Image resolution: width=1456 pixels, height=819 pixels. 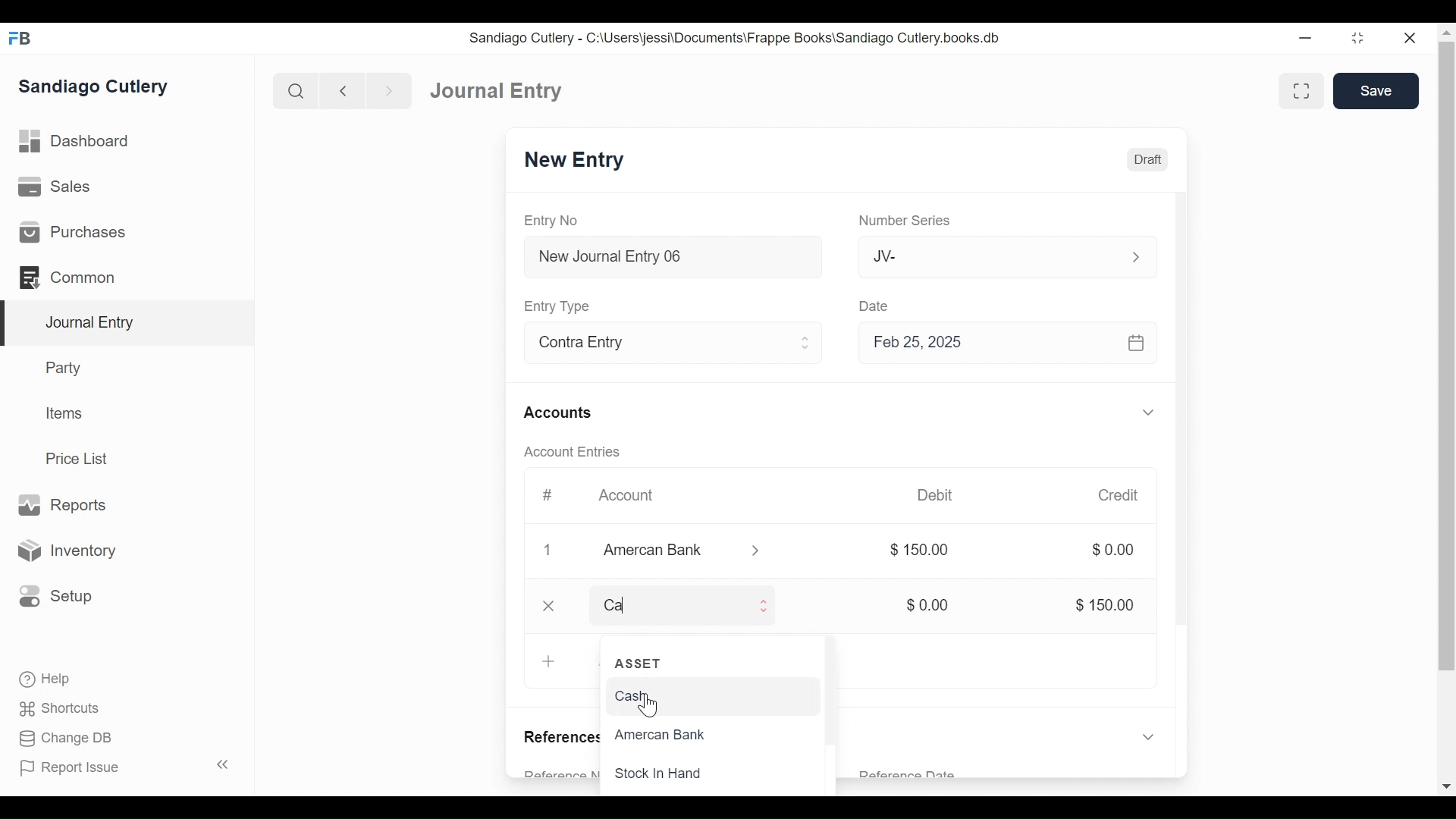 What do you see at coordinates (1447, 785) in the screenshot?
I see `Scroll down` at bounding box center [1447, 785].